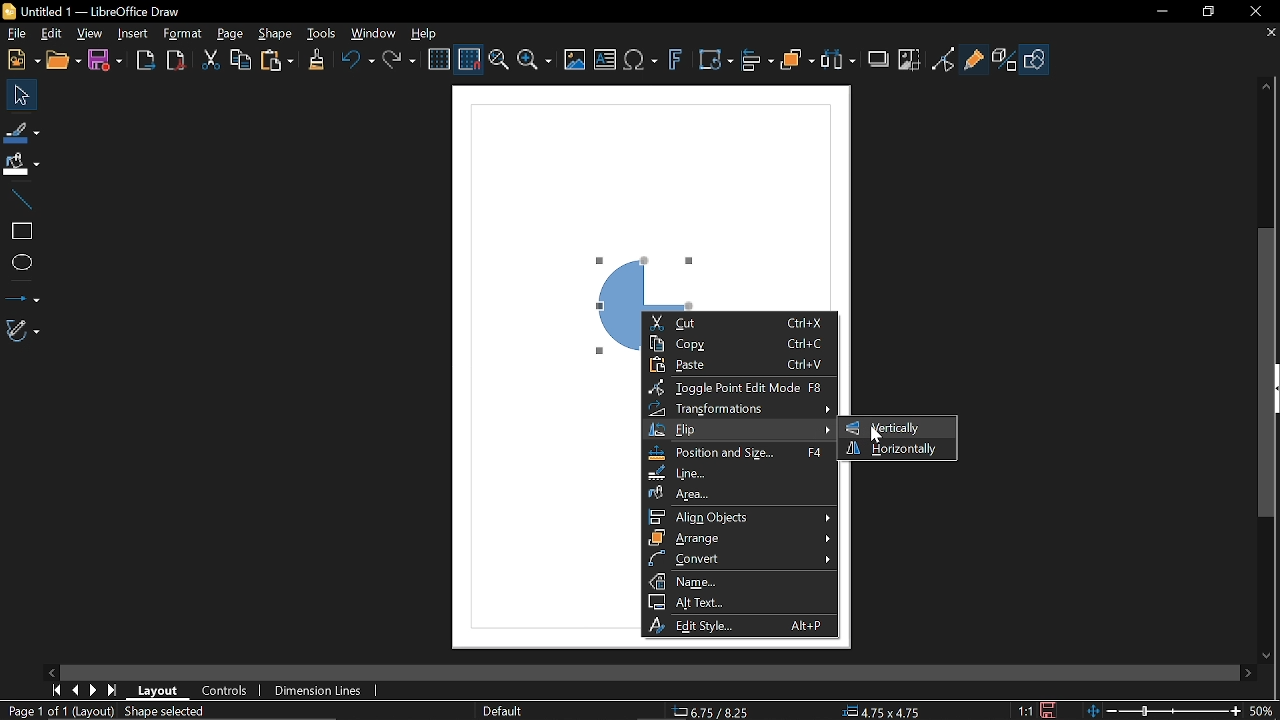  What do you see at coordinates (1268, 83) in the screenshot?
I see `Move up` at bounding box center [1268, 83].